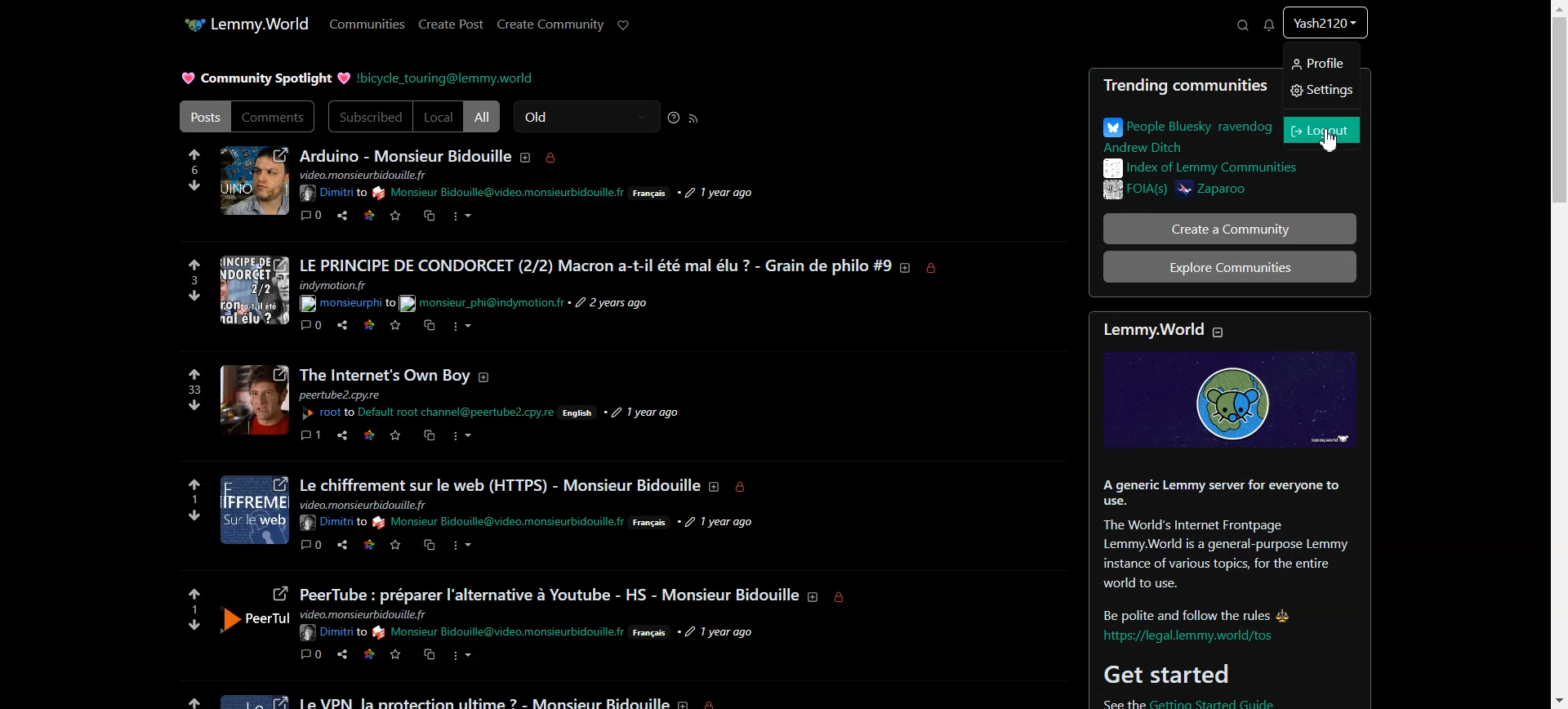  I want to click on time posted, so click(720, 192).